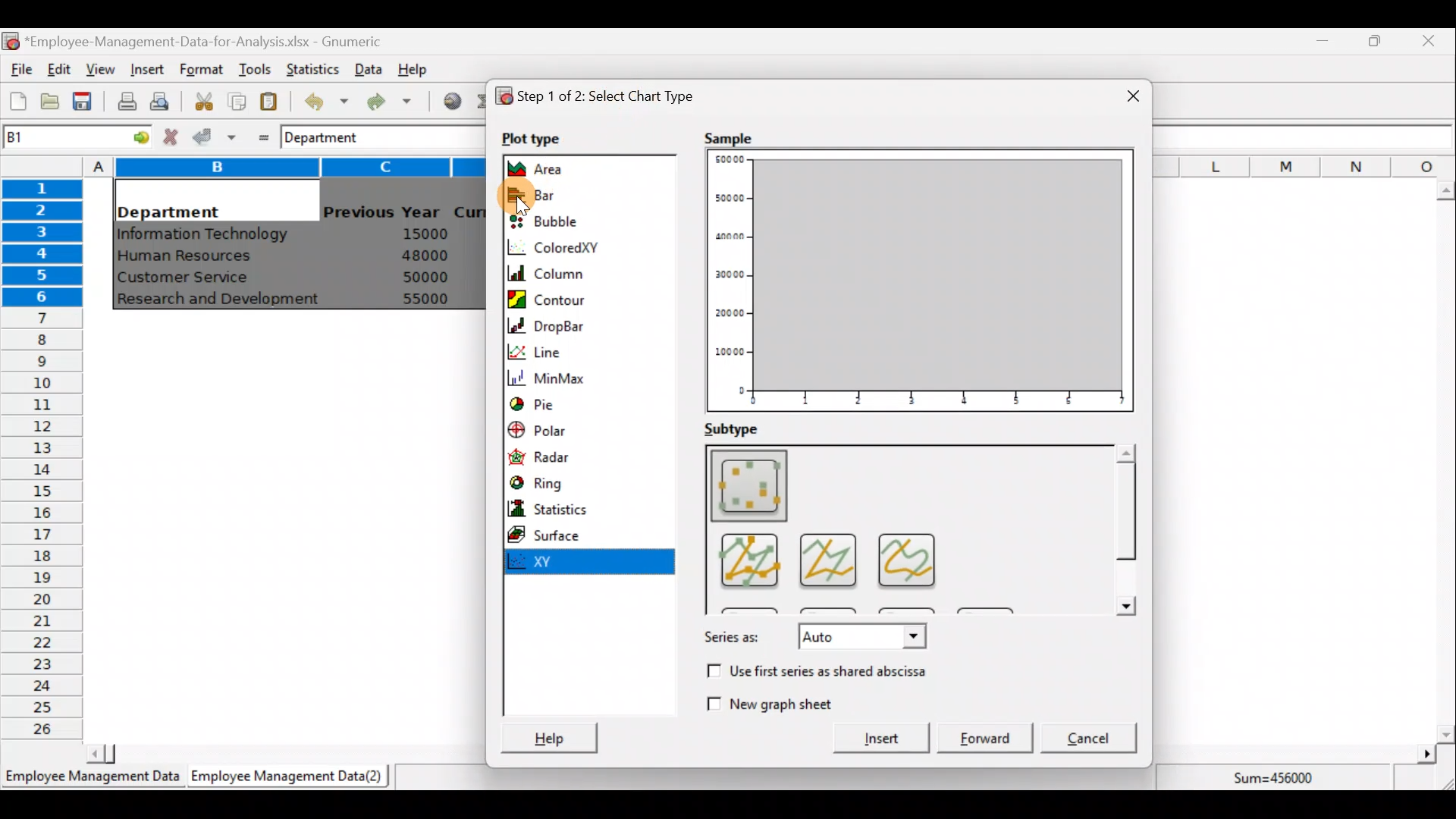 The image size is (1456, 819). What do you see at coordinates (19, 70) in the screenshot?
I see `File` at bounding box center [19, 70].